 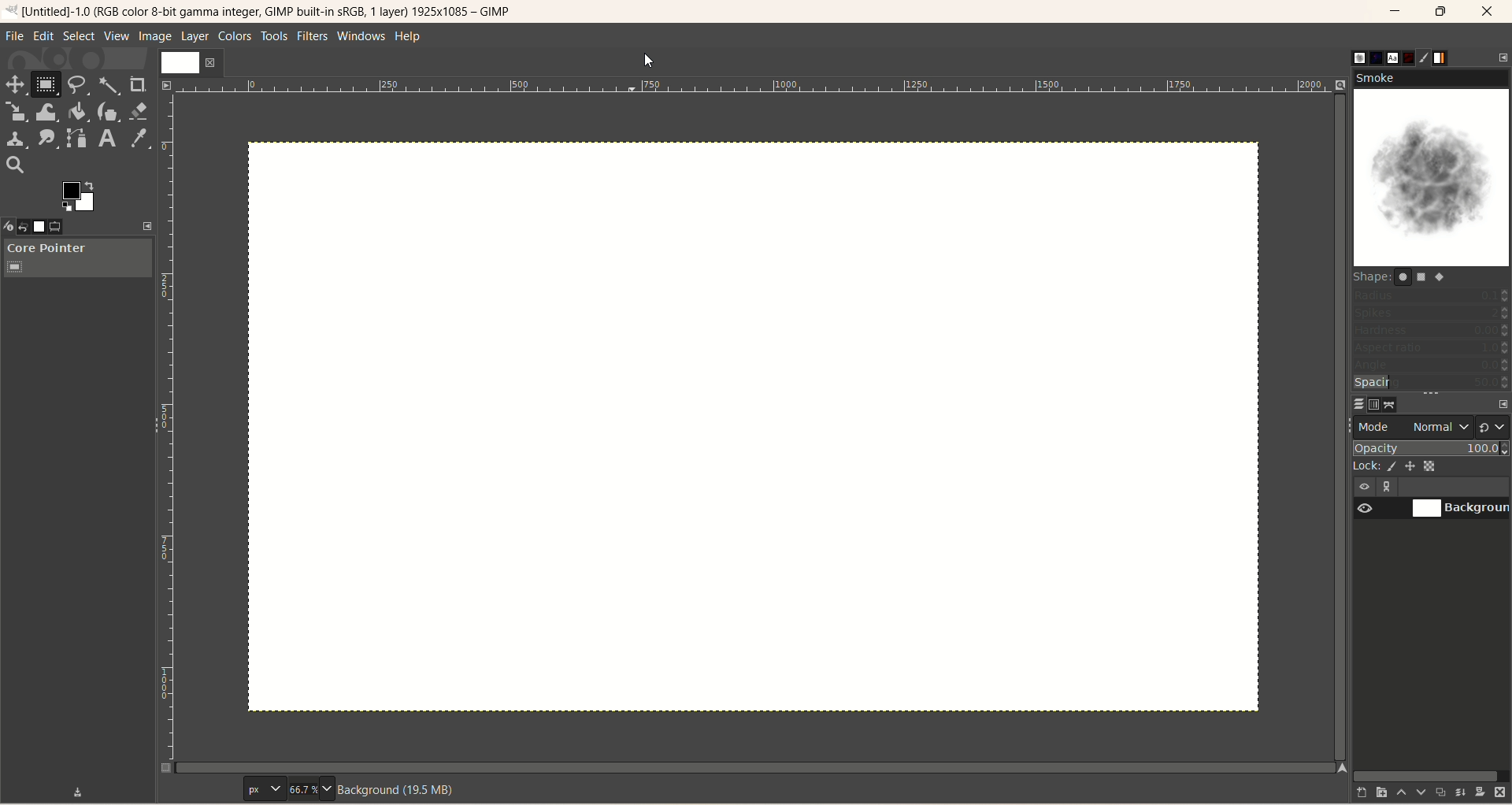 I want to click on radius, so click(x=1432, y=295).